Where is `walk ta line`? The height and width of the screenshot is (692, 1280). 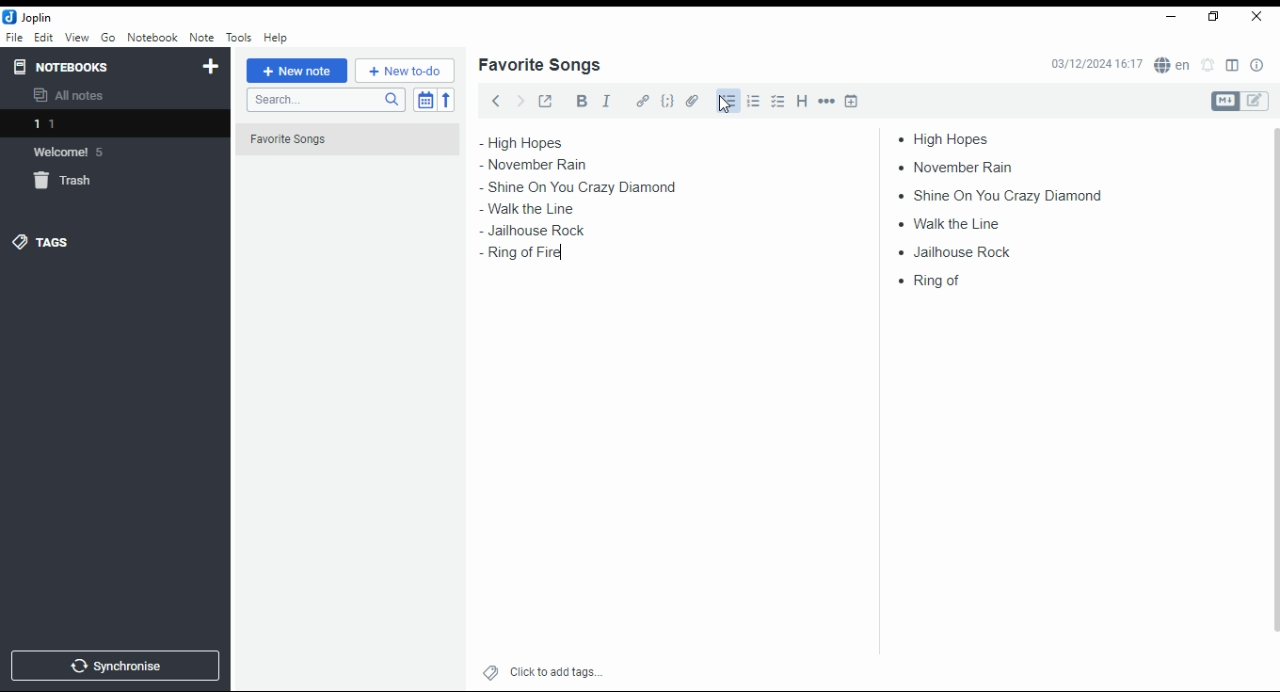
walk ta line is located at coordinates (523, 210).